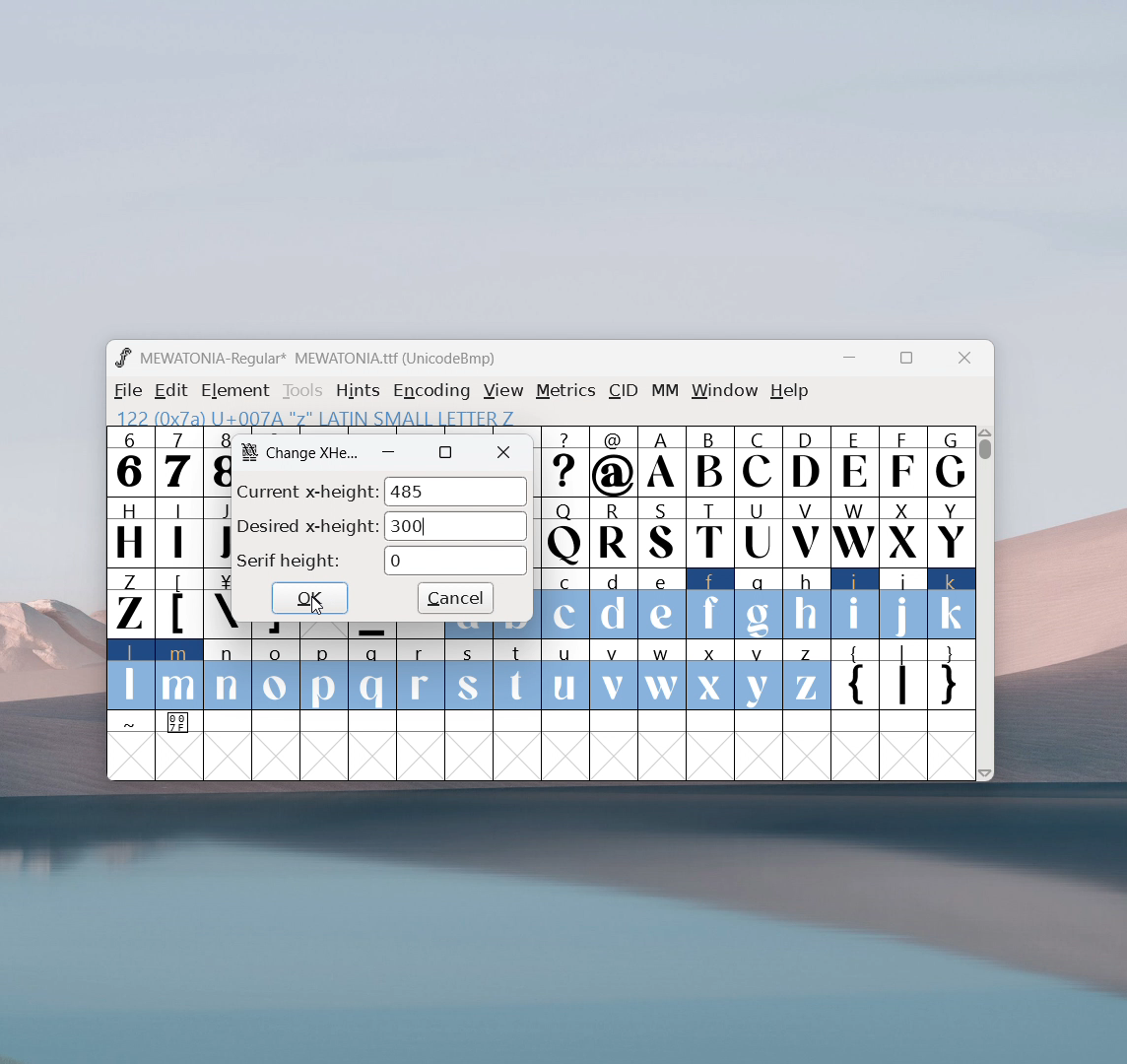 This screenshot has width=1127, height=1064. I want to click on 0 0 7 F, so click(180, 725).